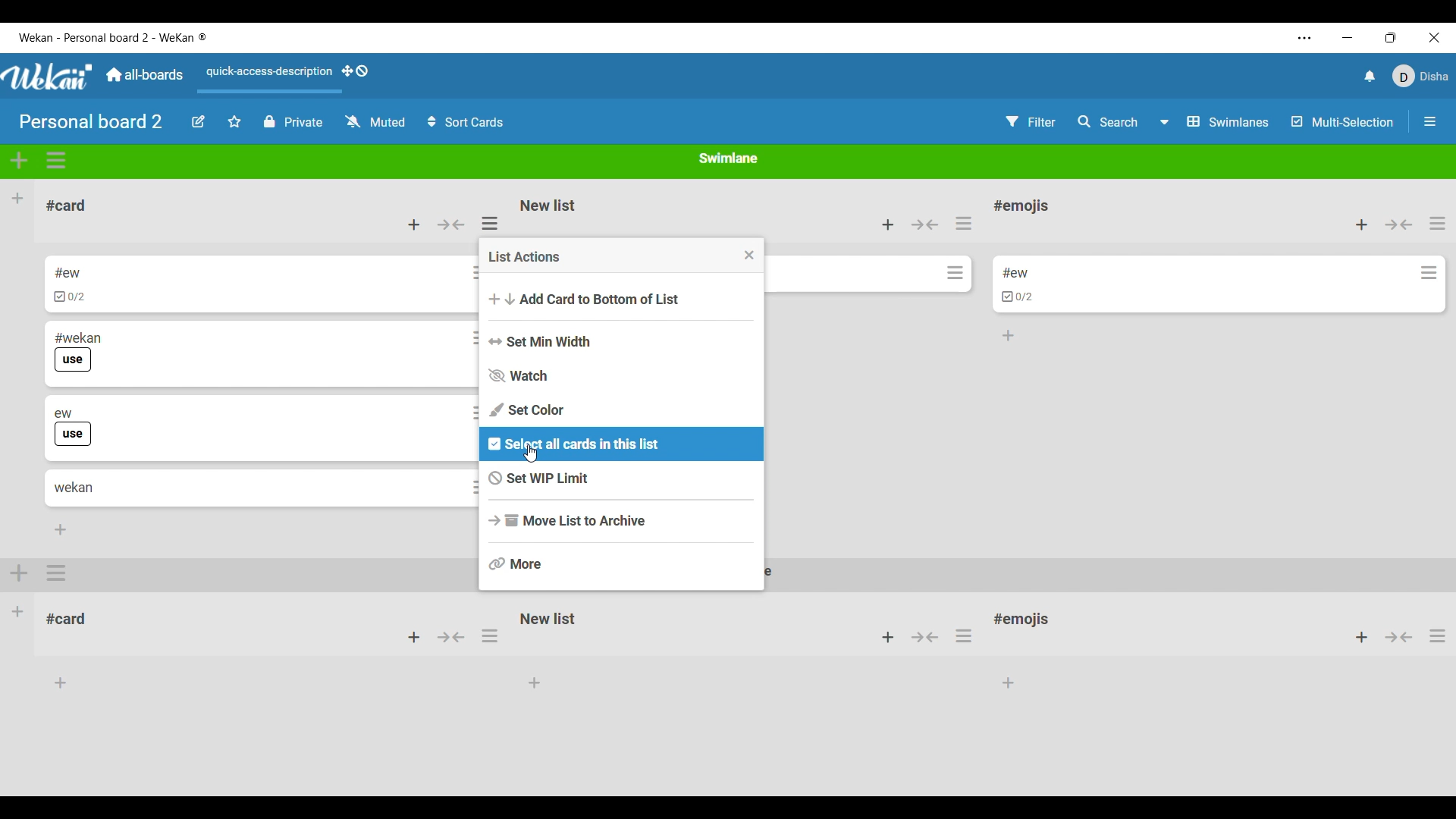 The width and height of the screenshot is (1456, 819). I want to click on List title, so click(1021, 206).